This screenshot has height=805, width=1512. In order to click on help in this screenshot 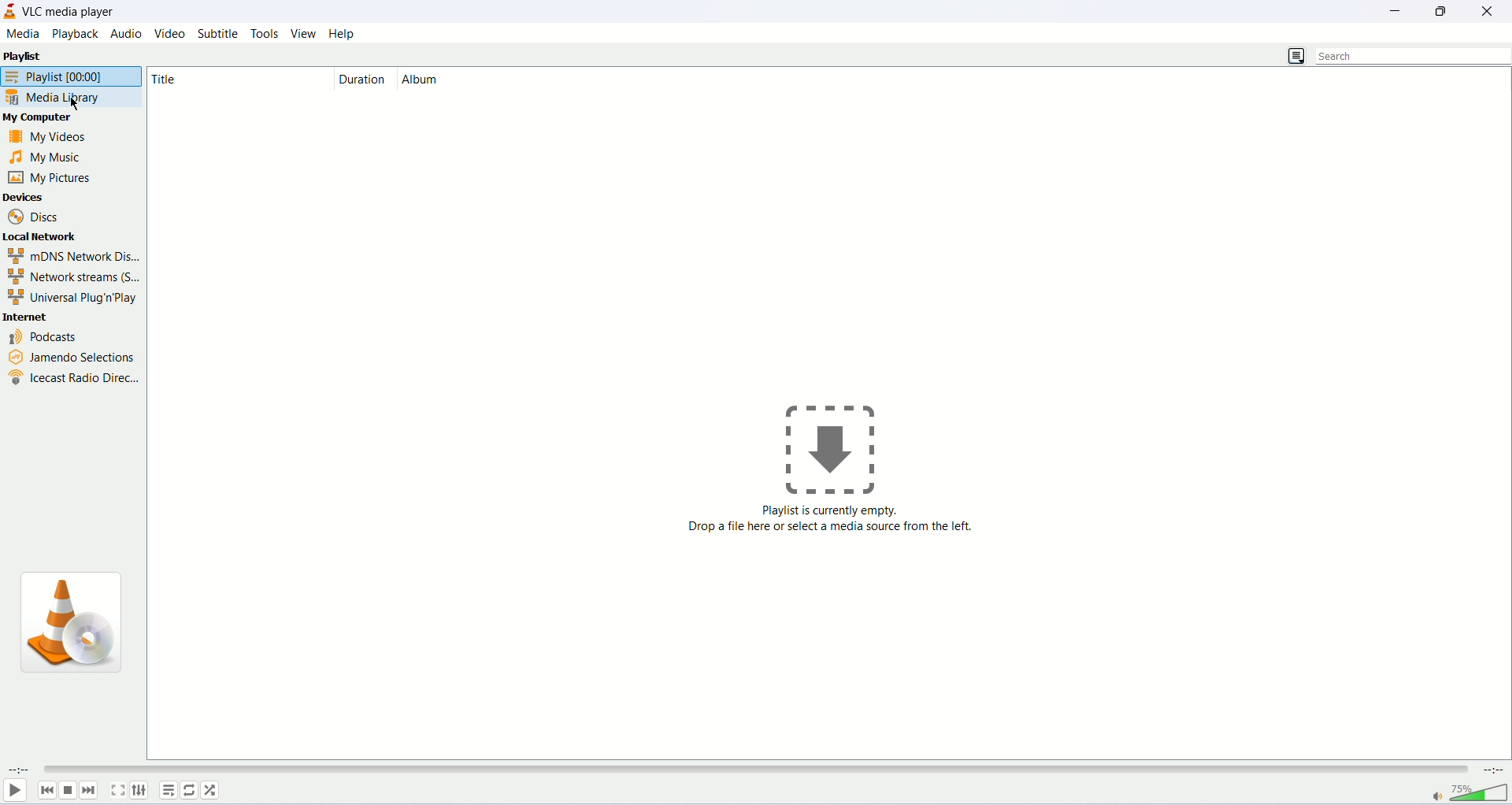, I will do `click(343, 34)`.